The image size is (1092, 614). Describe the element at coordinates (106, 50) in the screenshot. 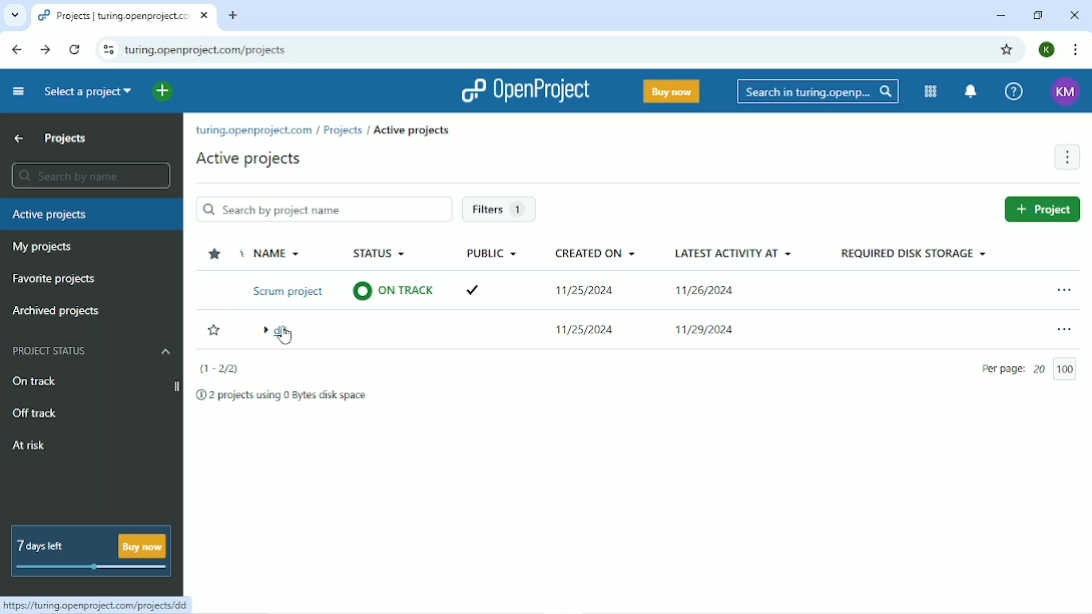

I see `View site information` at that location.